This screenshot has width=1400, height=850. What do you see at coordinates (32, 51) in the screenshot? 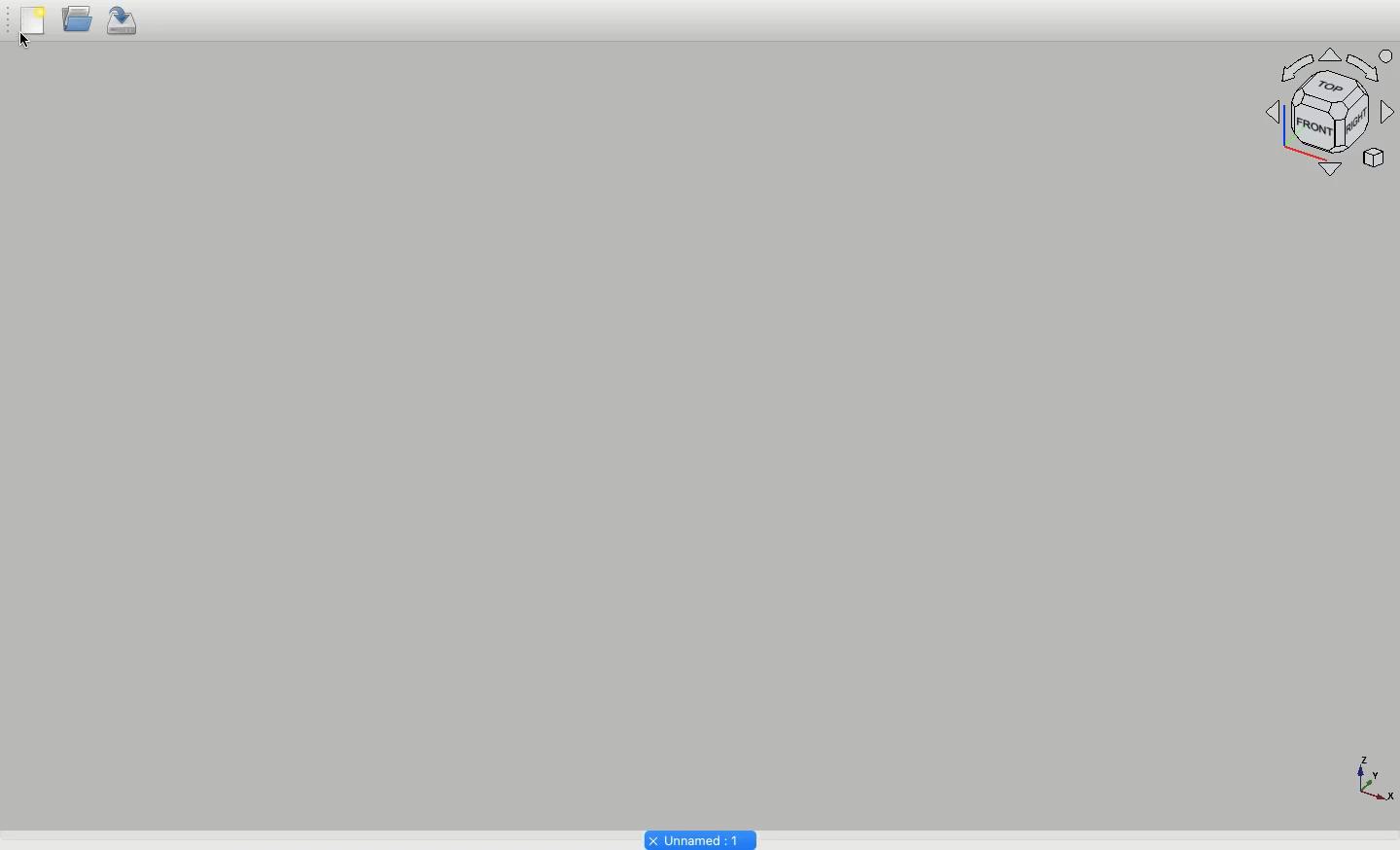
I see `cursor` at bounding box center [32, 51].